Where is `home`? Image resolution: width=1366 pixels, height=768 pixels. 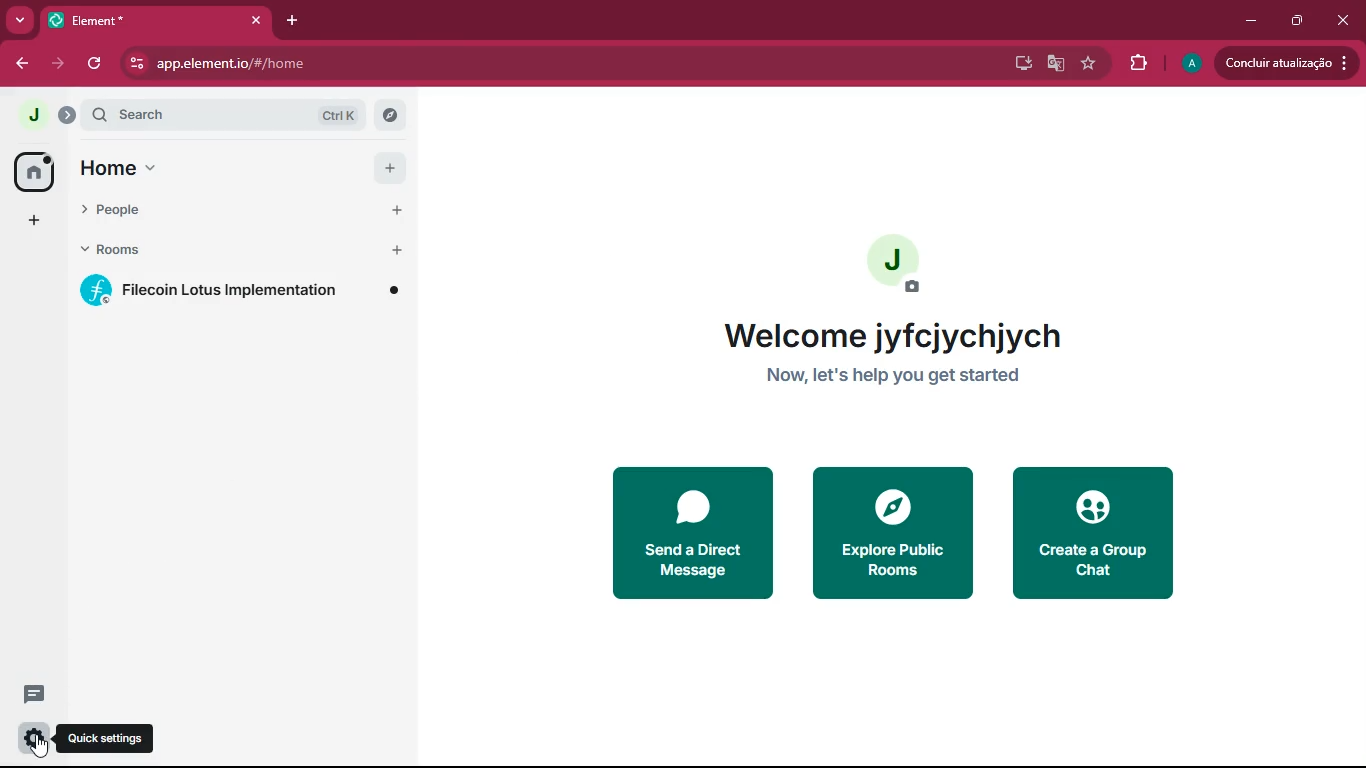
home is located at coordinates (154, 169).